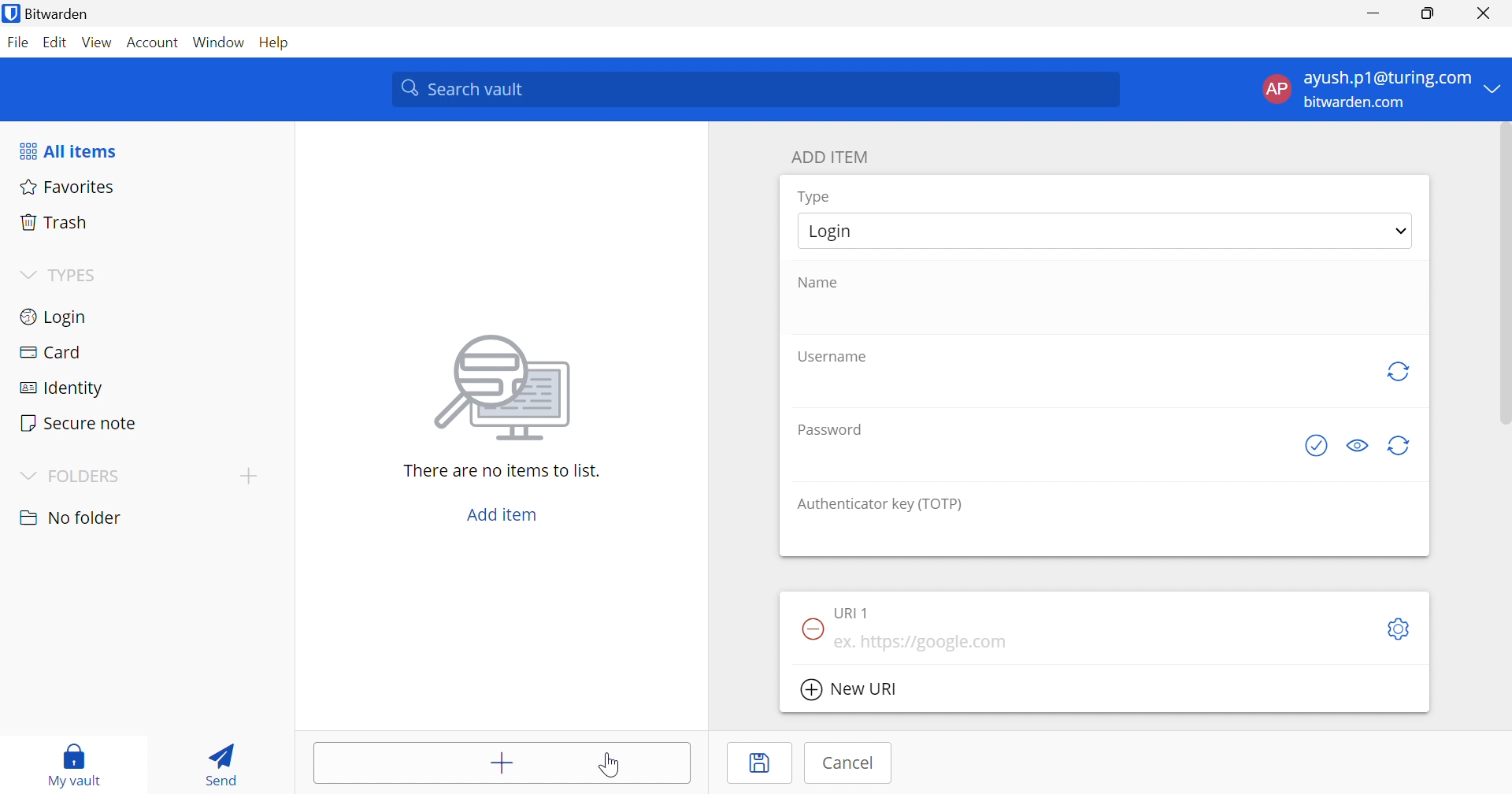 The width and height of the screenshot is (1512, 794). What do you see at coordinates (1355, 103) in the screenshot?
I see `bitwarden.com` at bounding box center [1355, 103].